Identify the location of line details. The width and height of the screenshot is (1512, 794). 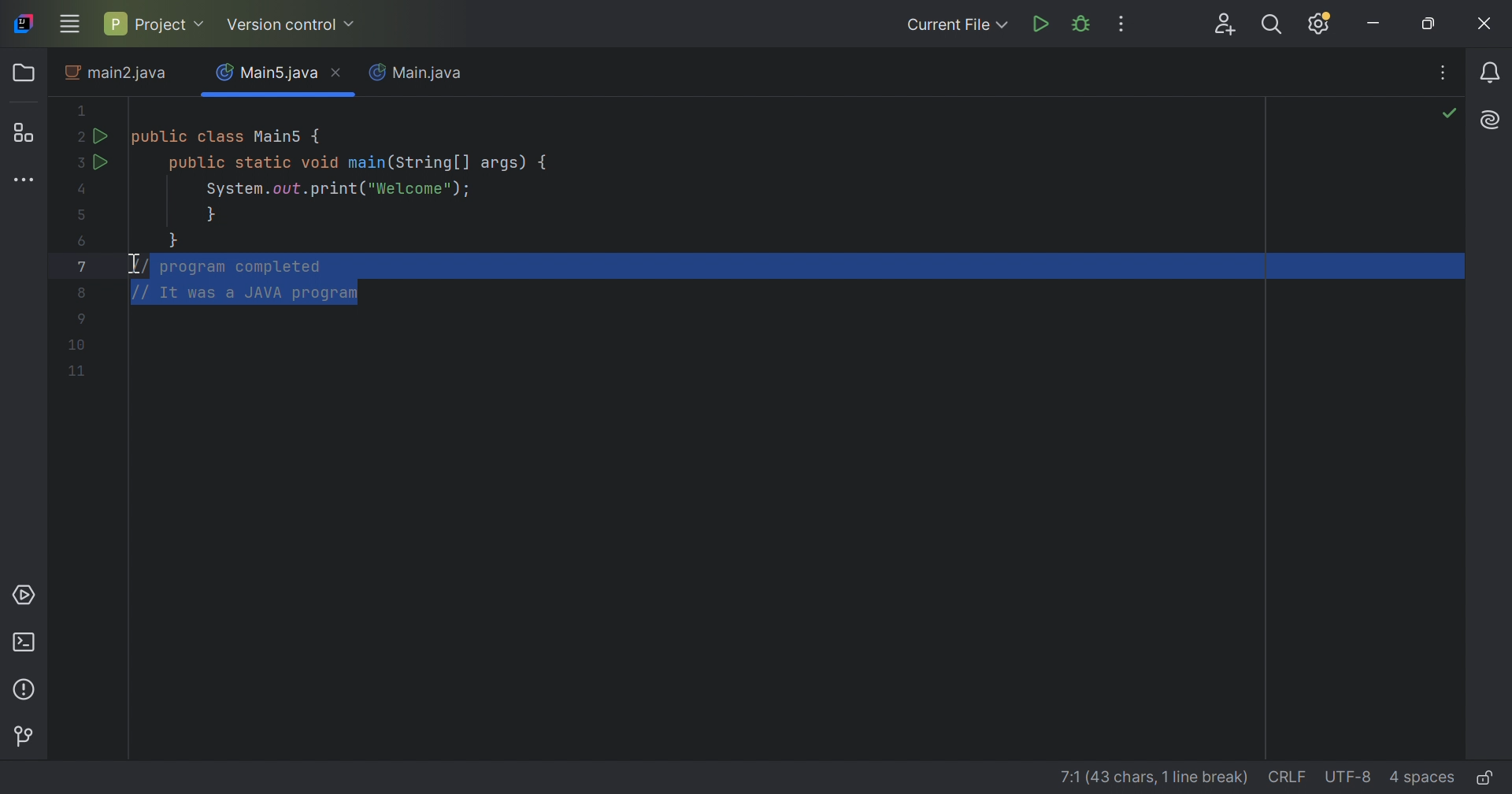
(1141, 774).